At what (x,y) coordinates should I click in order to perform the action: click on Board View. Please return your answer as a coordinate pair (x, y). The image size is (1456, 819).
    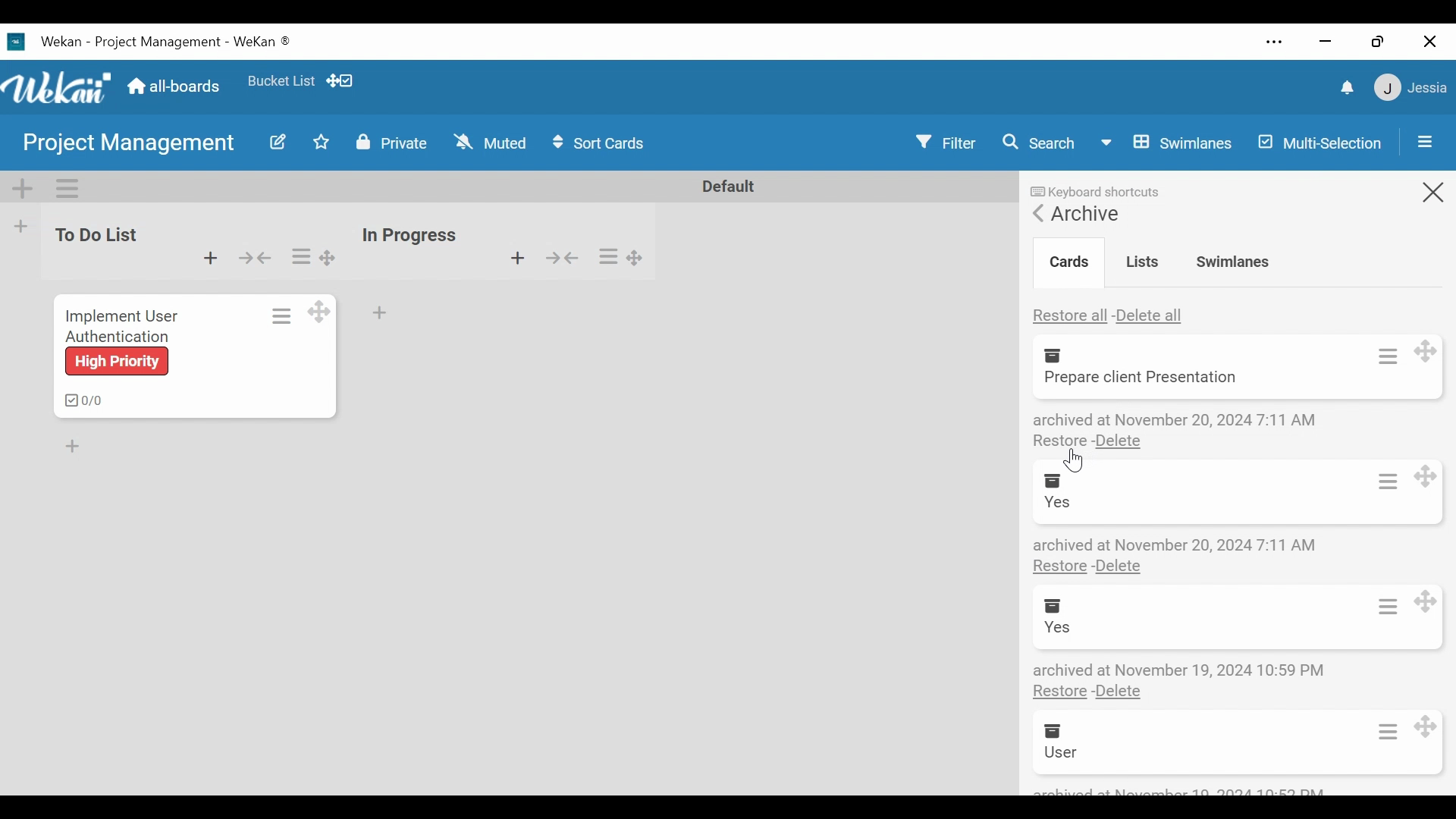
    Looking at the image, I should click on (1164, 143).